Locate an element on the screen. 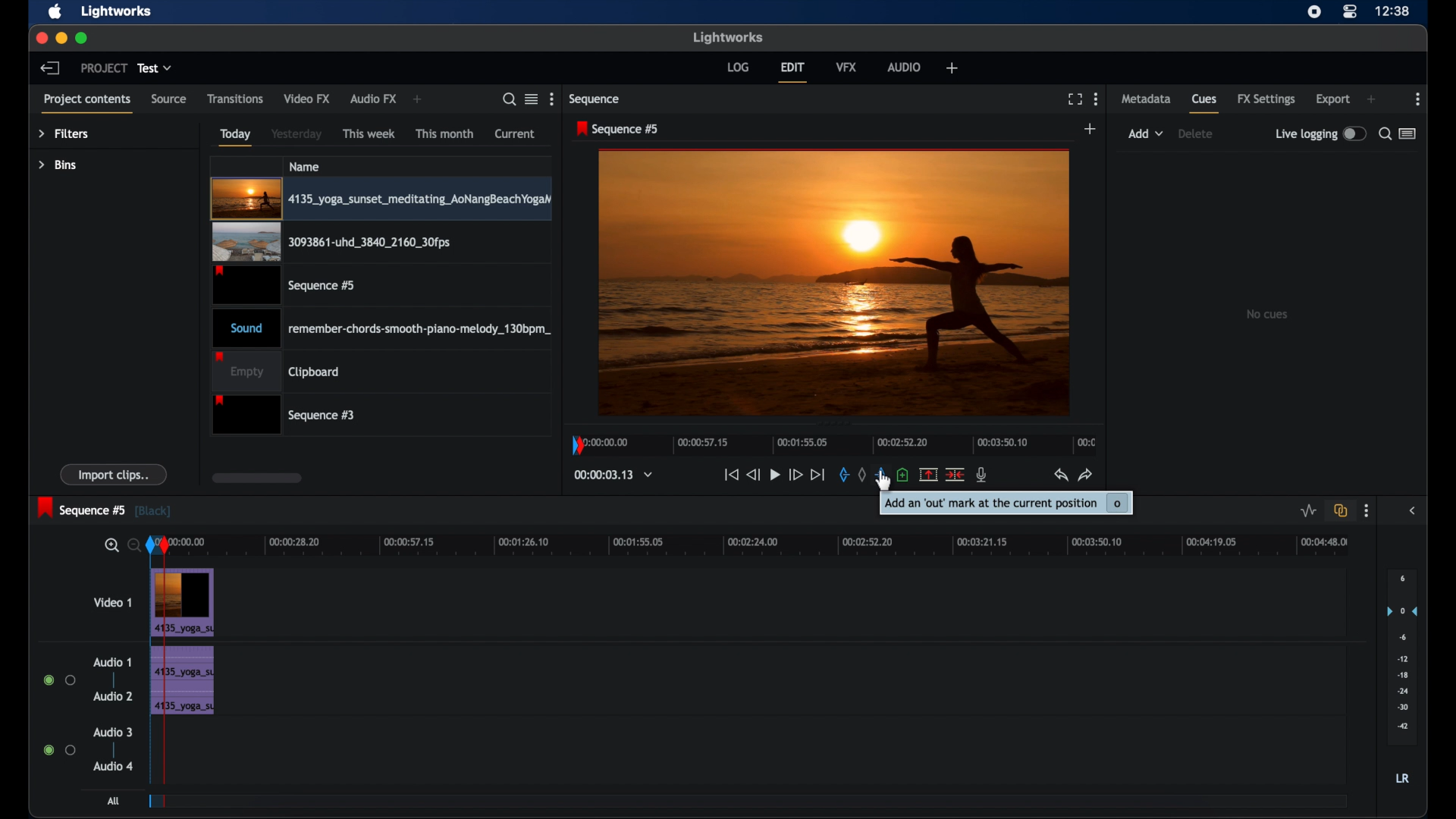 This screenshot has height=819, width=1456. toggle between listened tile view is located at coordinates (532, 99).